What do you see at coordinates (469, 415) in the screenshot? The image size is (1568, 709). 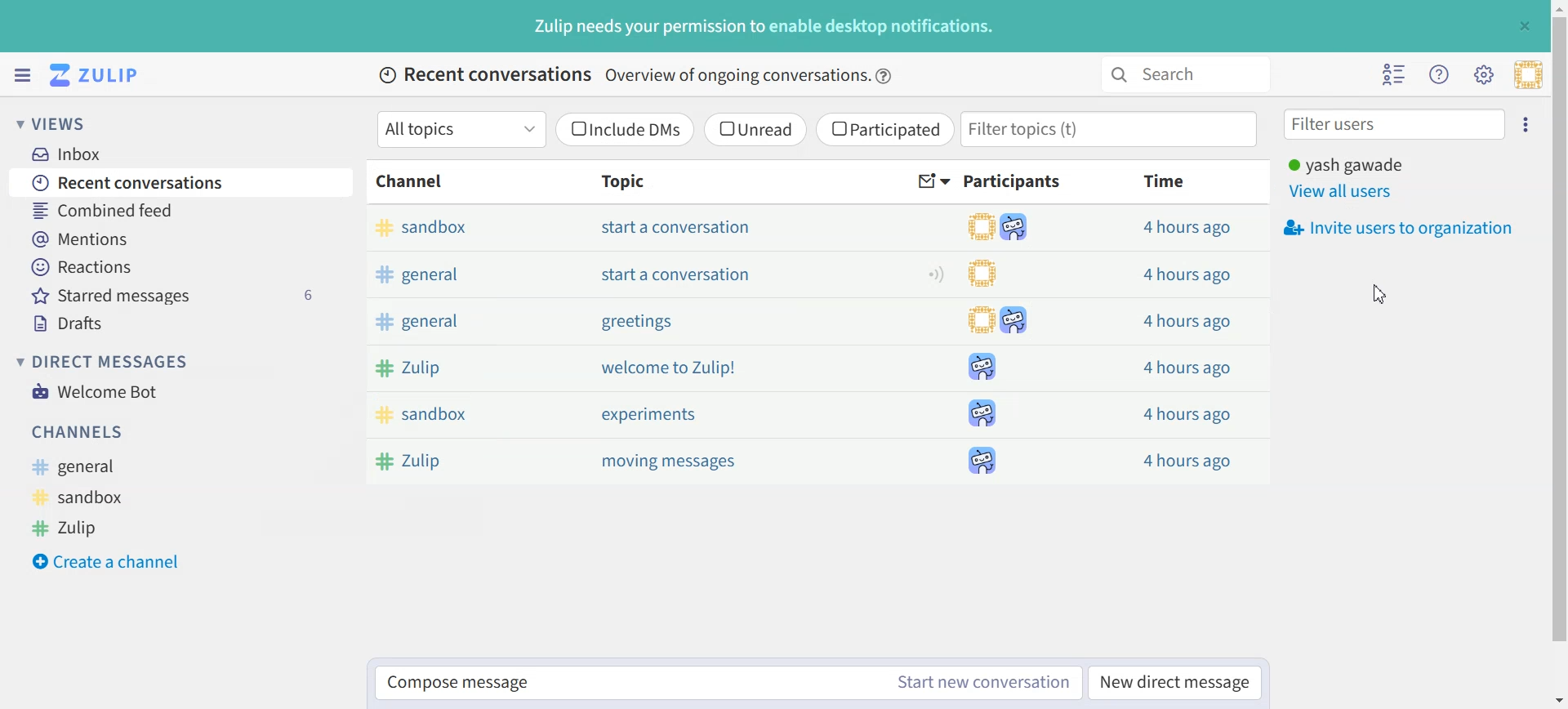 I see `#Sandbox` at bounding box center [469, 415].